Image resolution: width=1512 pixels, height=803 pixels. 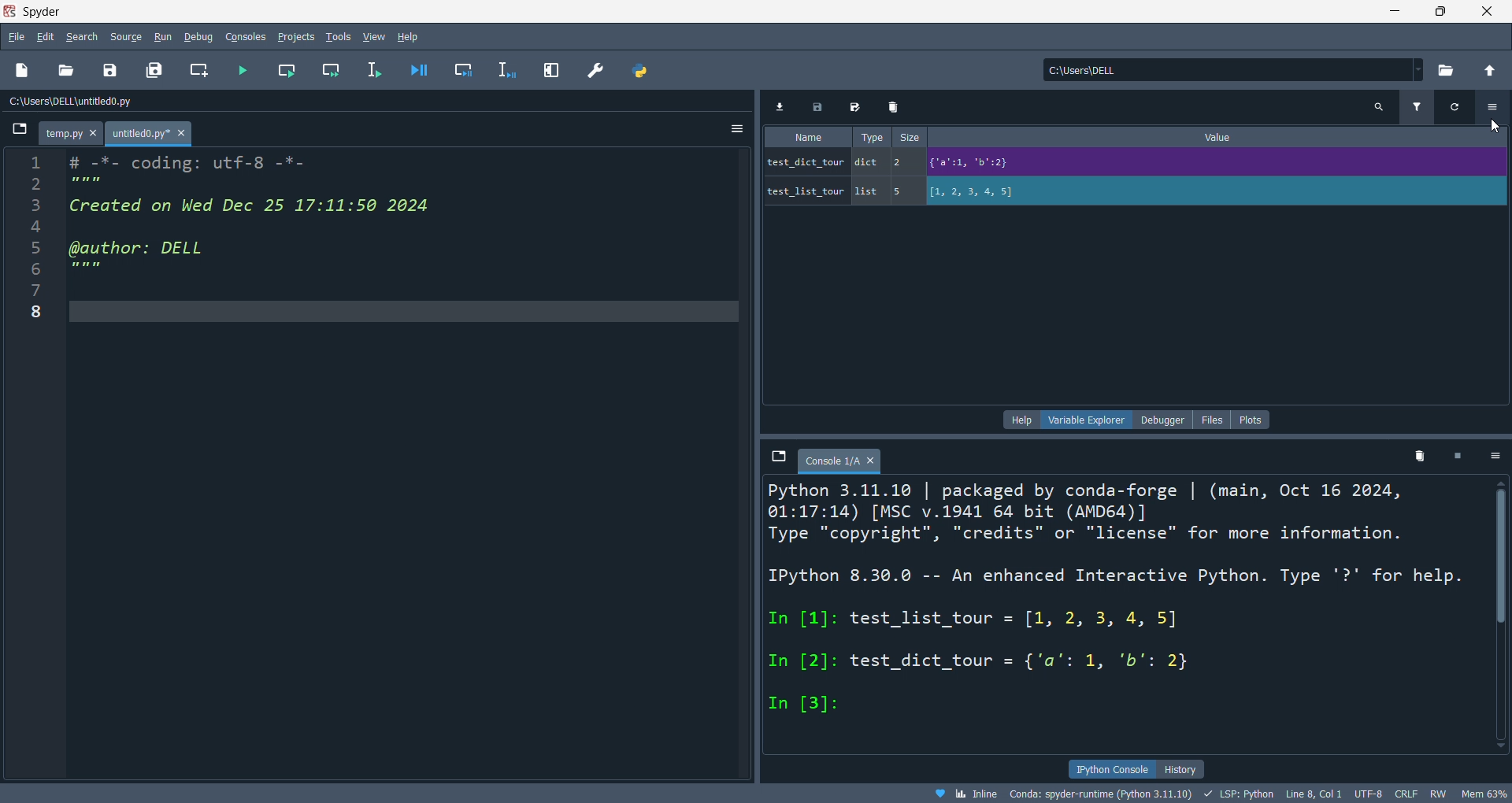 I want to click on new file, so click(x=27, y=70).